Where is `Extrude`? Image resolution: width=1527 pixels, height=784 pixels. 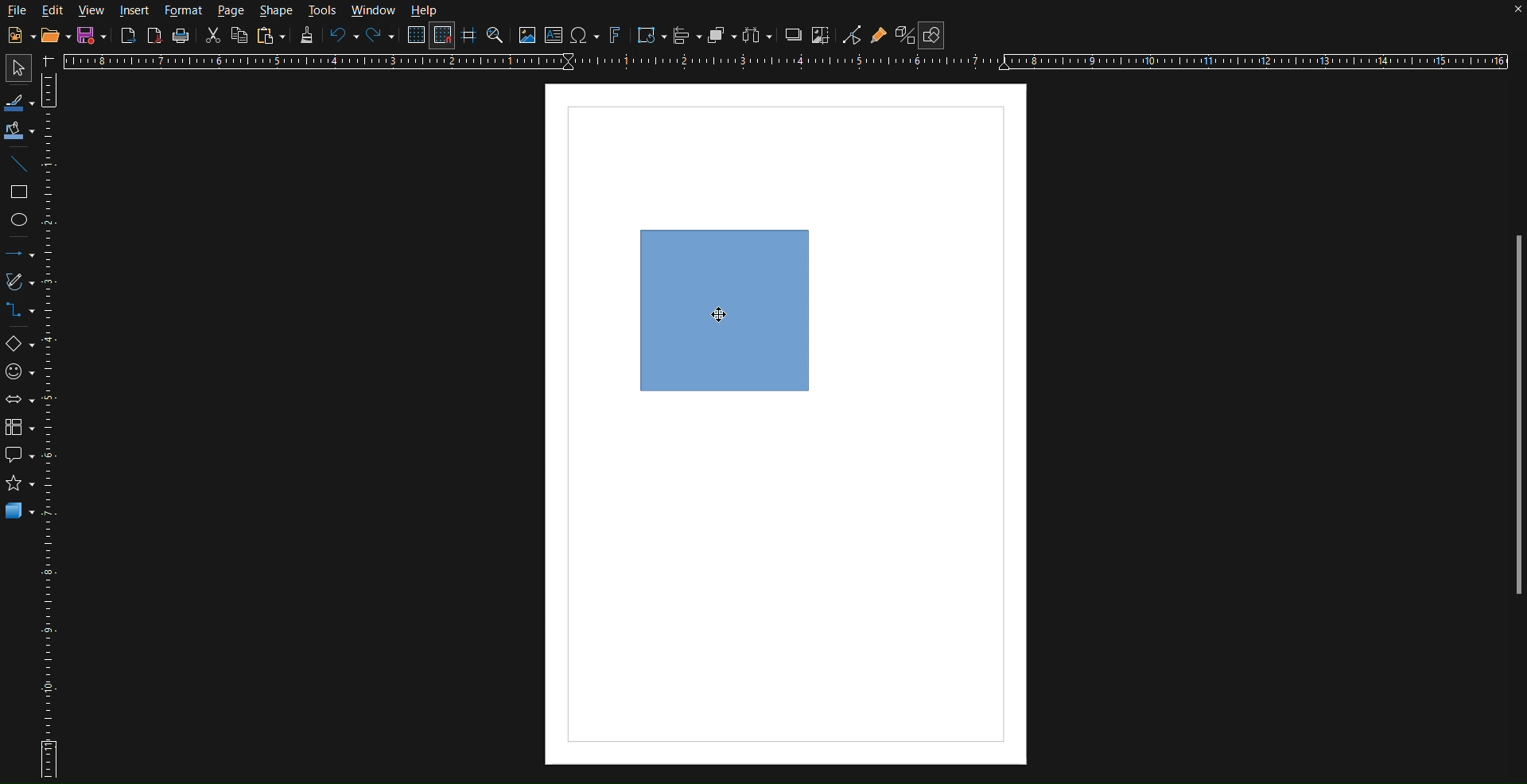
Extrude is located at coordinates (900, 33).